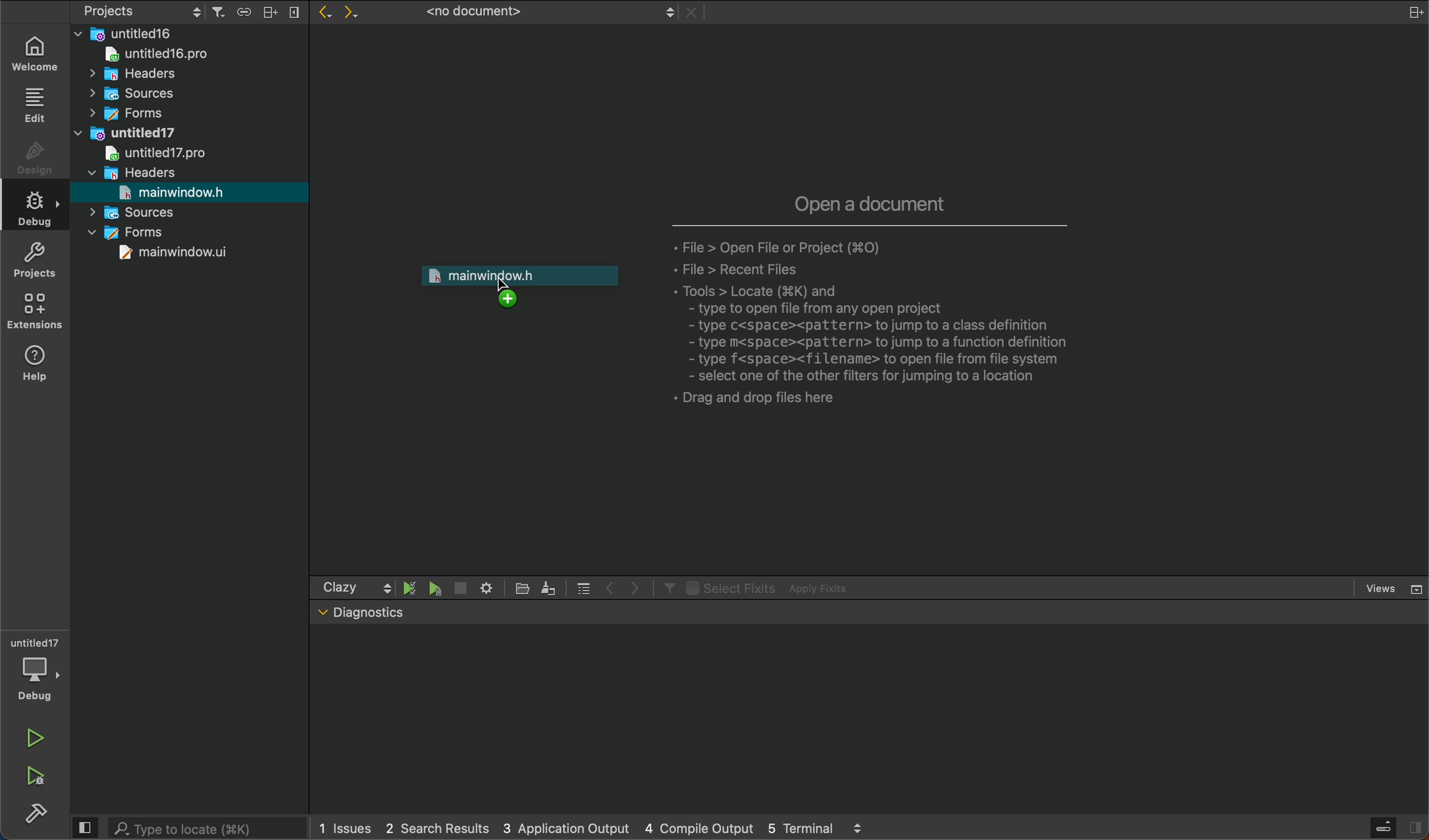 The height and width of the screenshot is (840, 1429). What do you see at coordinates (1407, 11) in the screenshot?
I see `split tab` at bounding box center [1407, 11].